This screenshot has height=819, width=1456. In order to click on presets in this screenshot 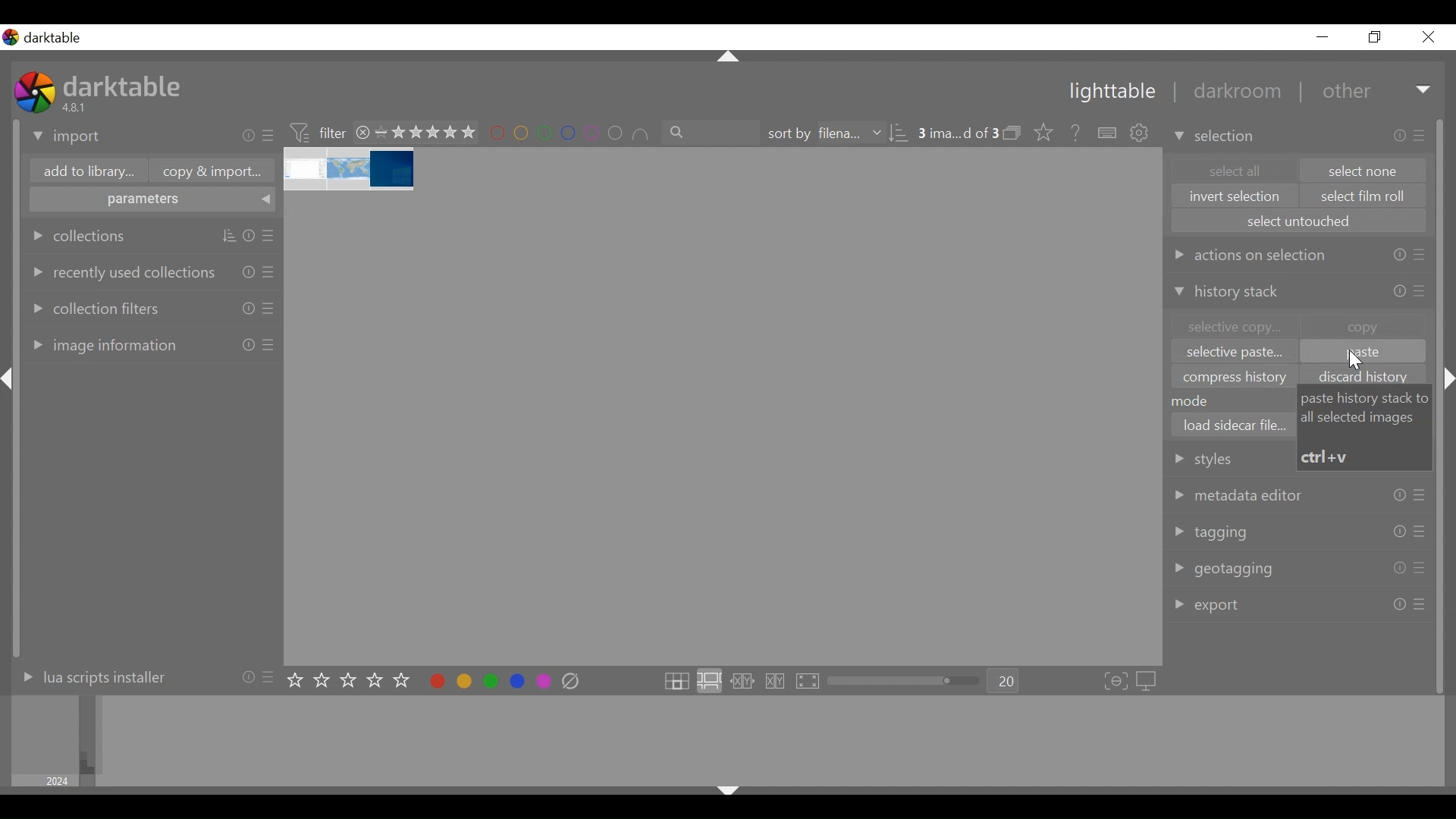, I will do `click(271, 676)`.